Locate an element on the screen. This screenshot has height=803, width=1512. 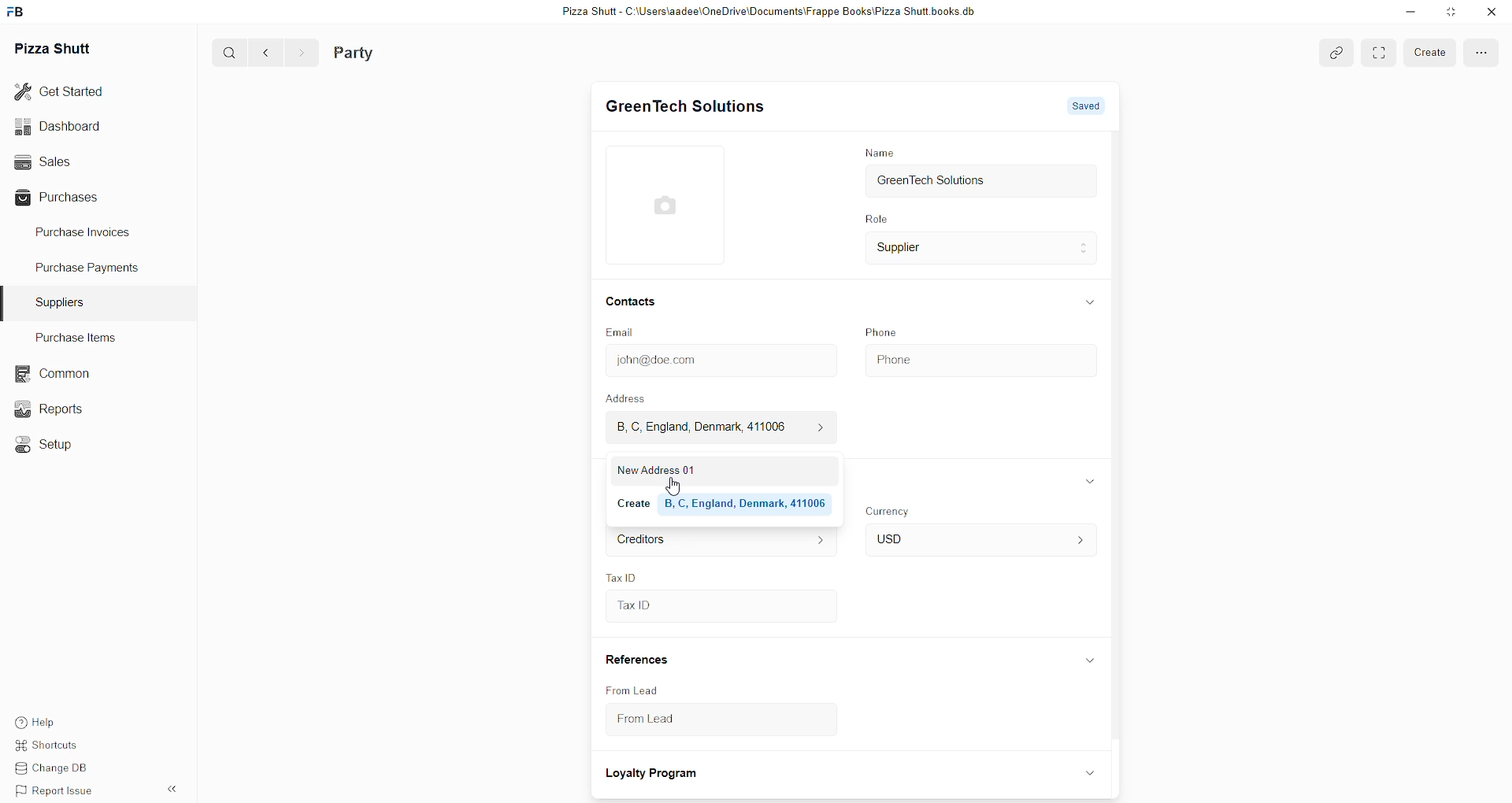
hide is located at coordinates (1091, 481).